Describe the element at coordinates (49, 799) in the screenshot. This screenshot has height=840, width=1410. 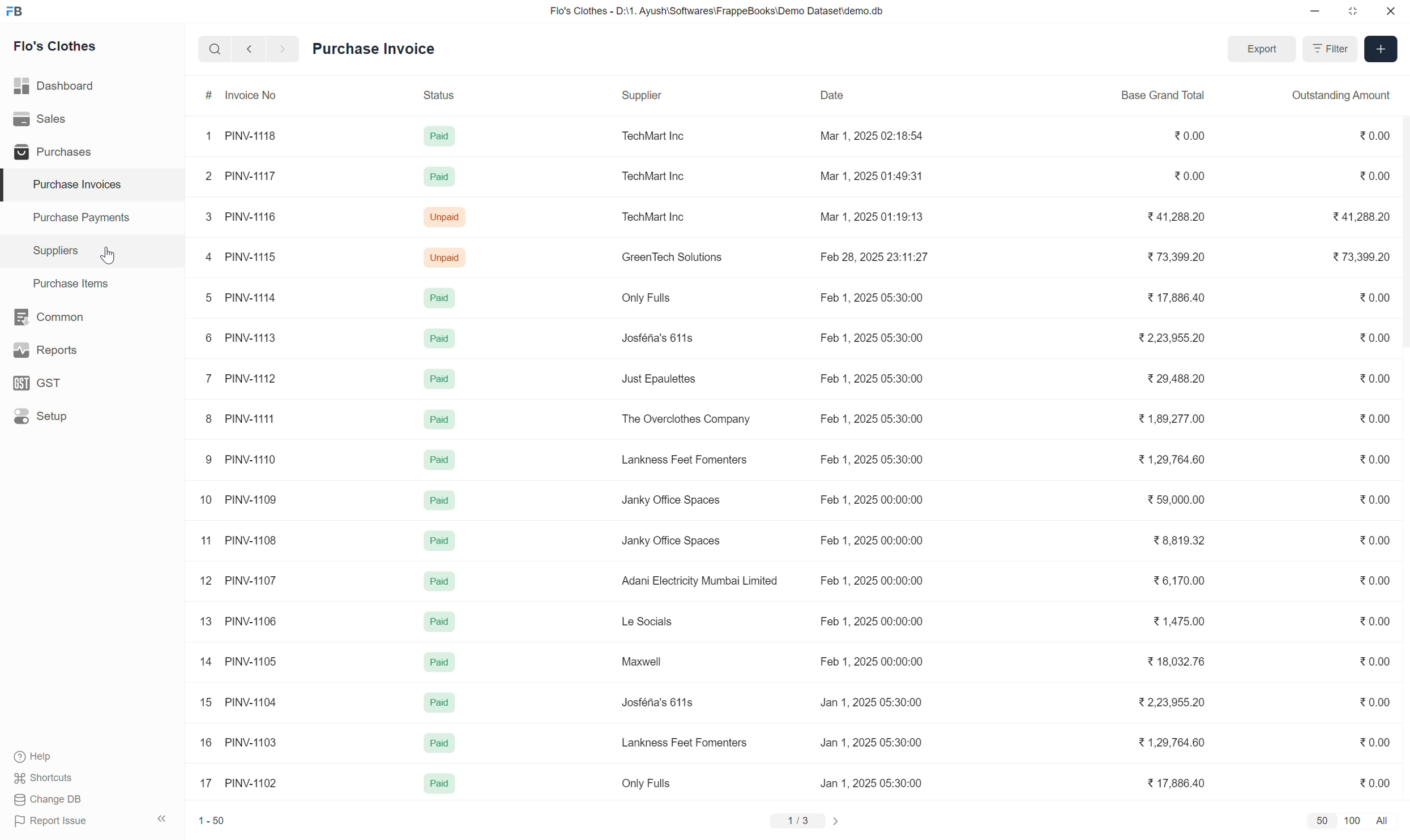
I see `Change DB` at that location.